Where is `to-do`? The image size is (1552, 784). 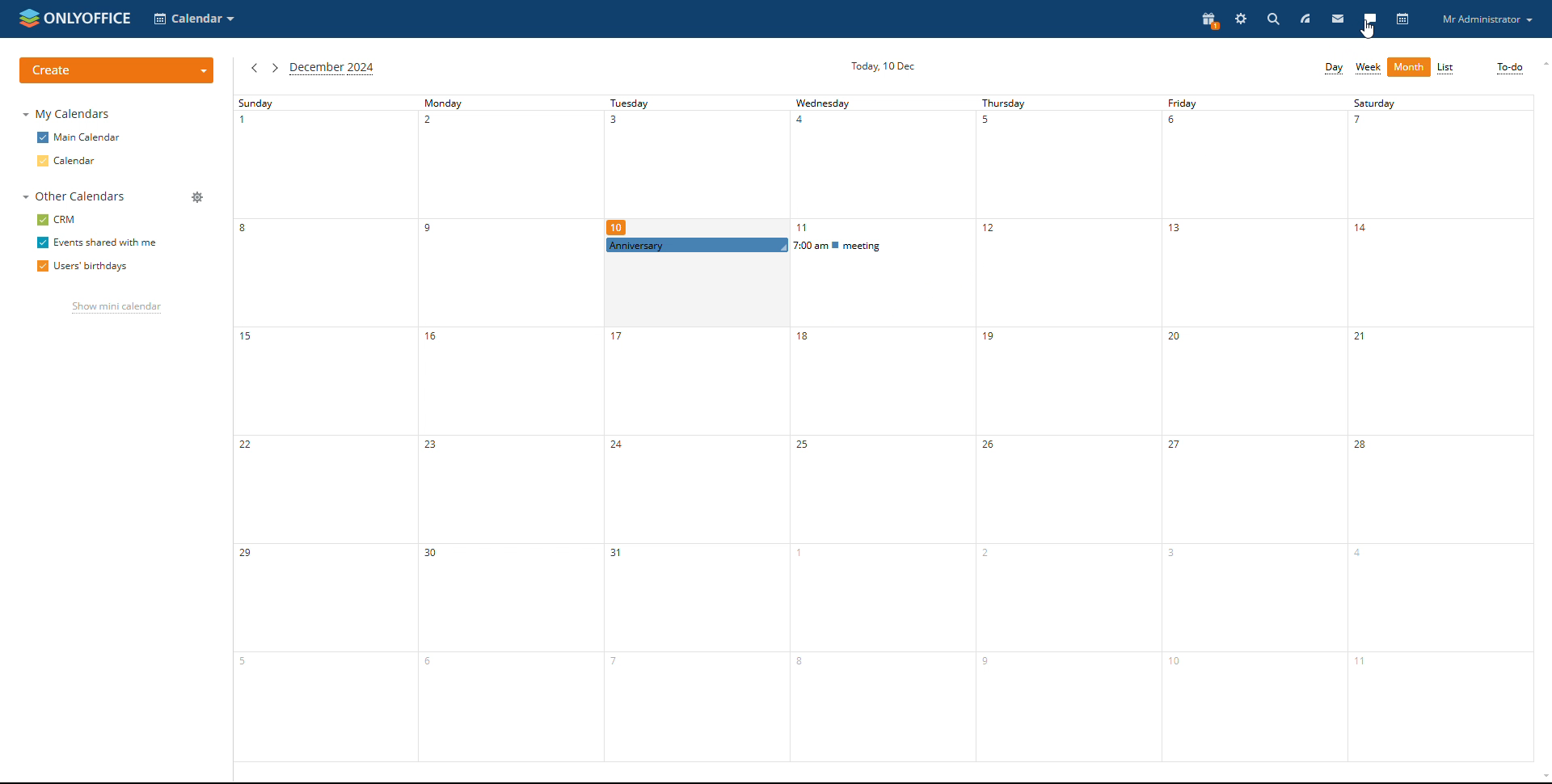 to-do is located at coordinates (1512, 69).